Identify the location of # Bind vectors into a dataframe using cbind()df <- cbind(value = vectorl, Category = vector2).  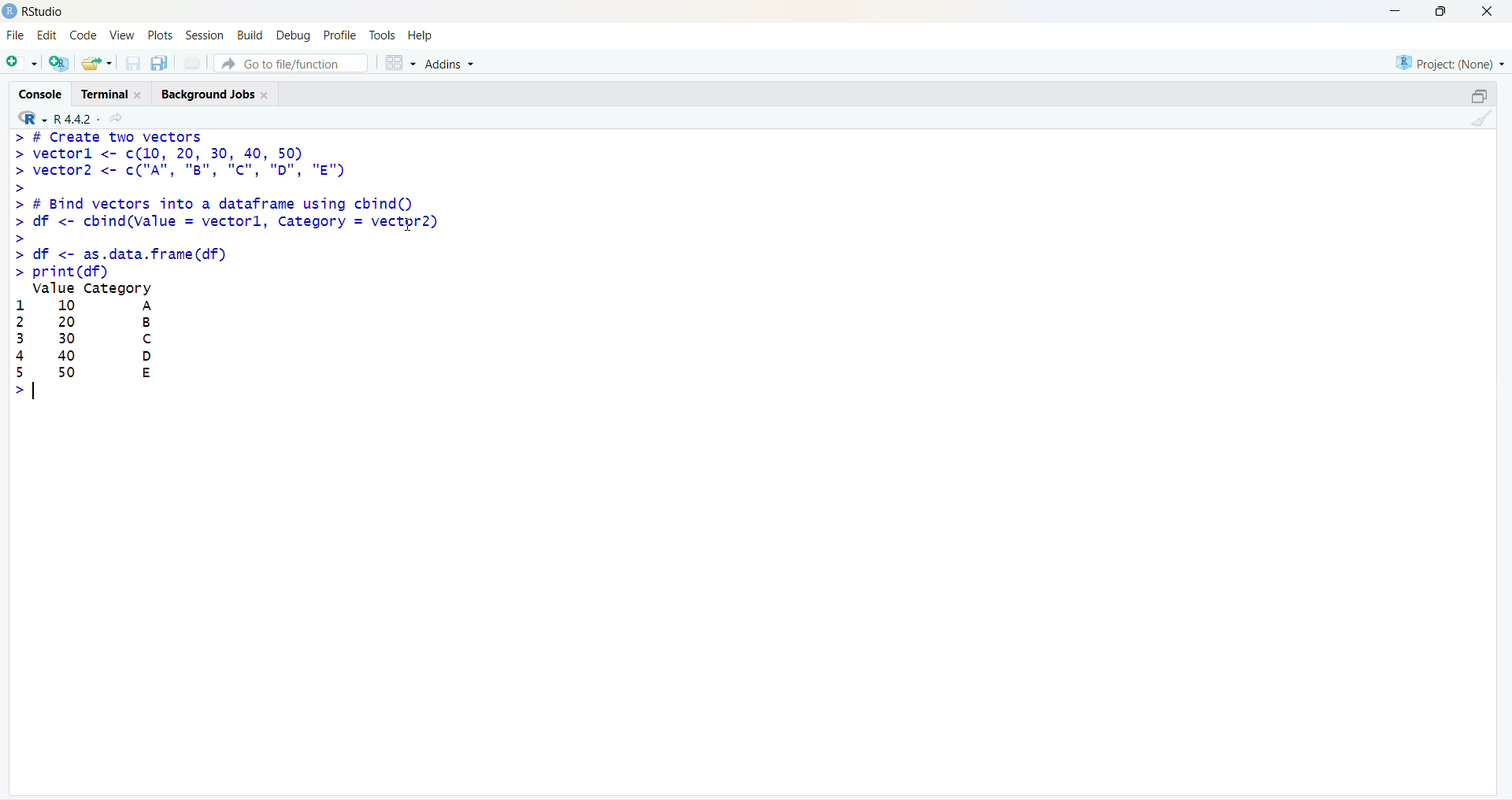
(225, 220).